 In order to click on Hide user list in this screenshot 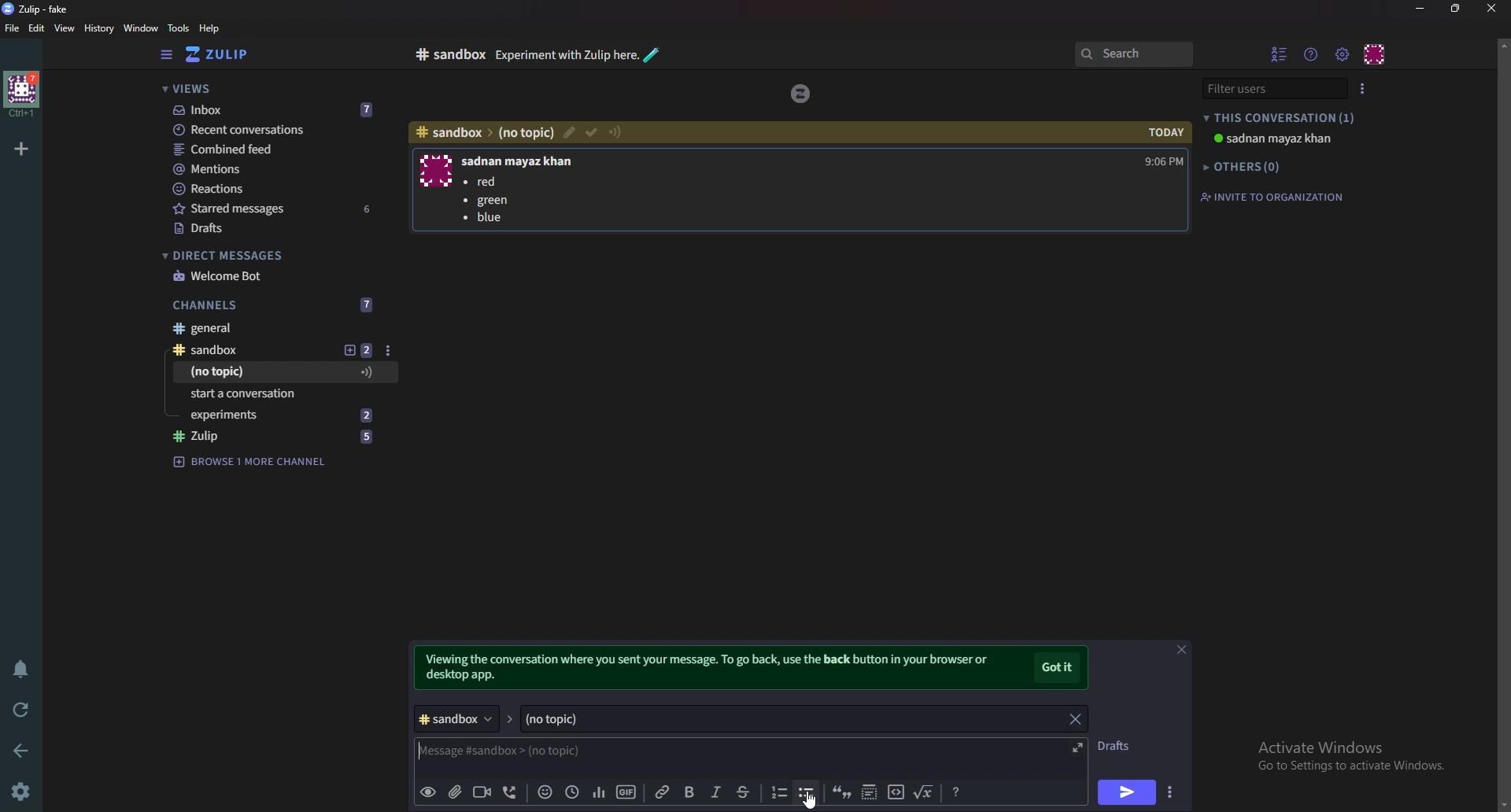, I will do `click(1280, 54)`.